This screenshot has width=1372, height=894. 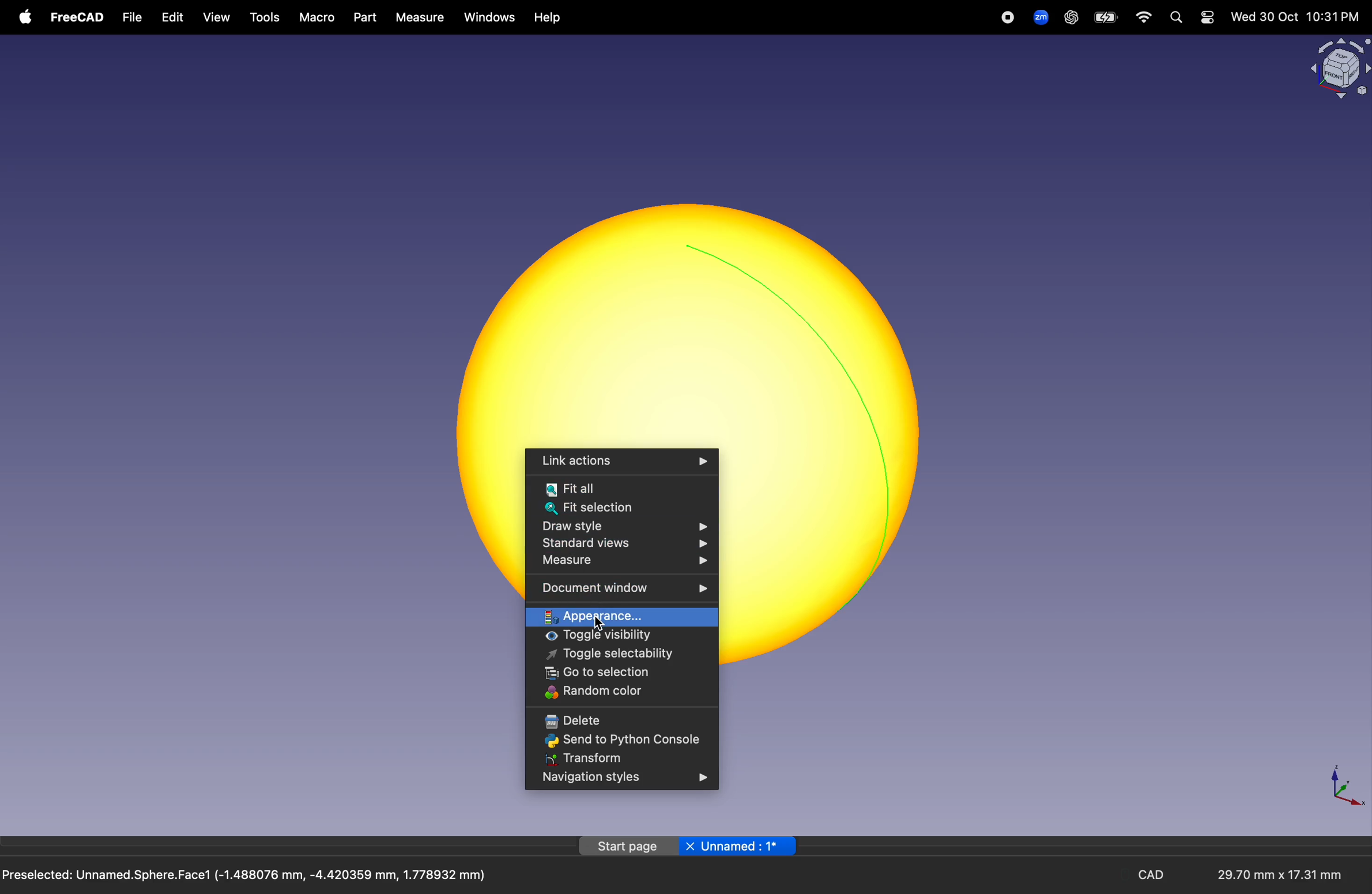 I want to click on settings, so click(x=1207, y=17).